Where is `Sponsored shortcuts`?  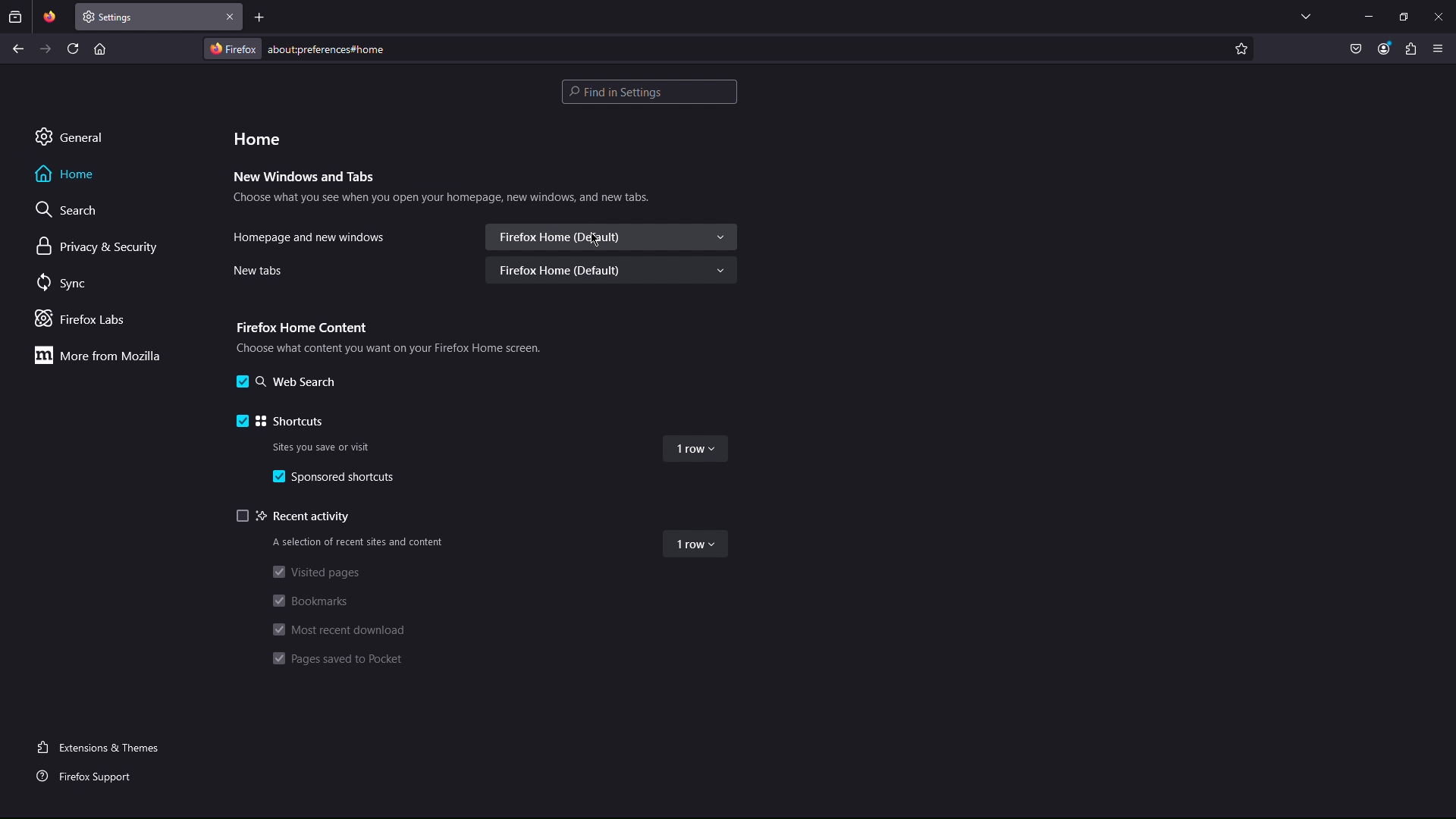
Sponsored shortcuts is located at coordinates (337, 476).